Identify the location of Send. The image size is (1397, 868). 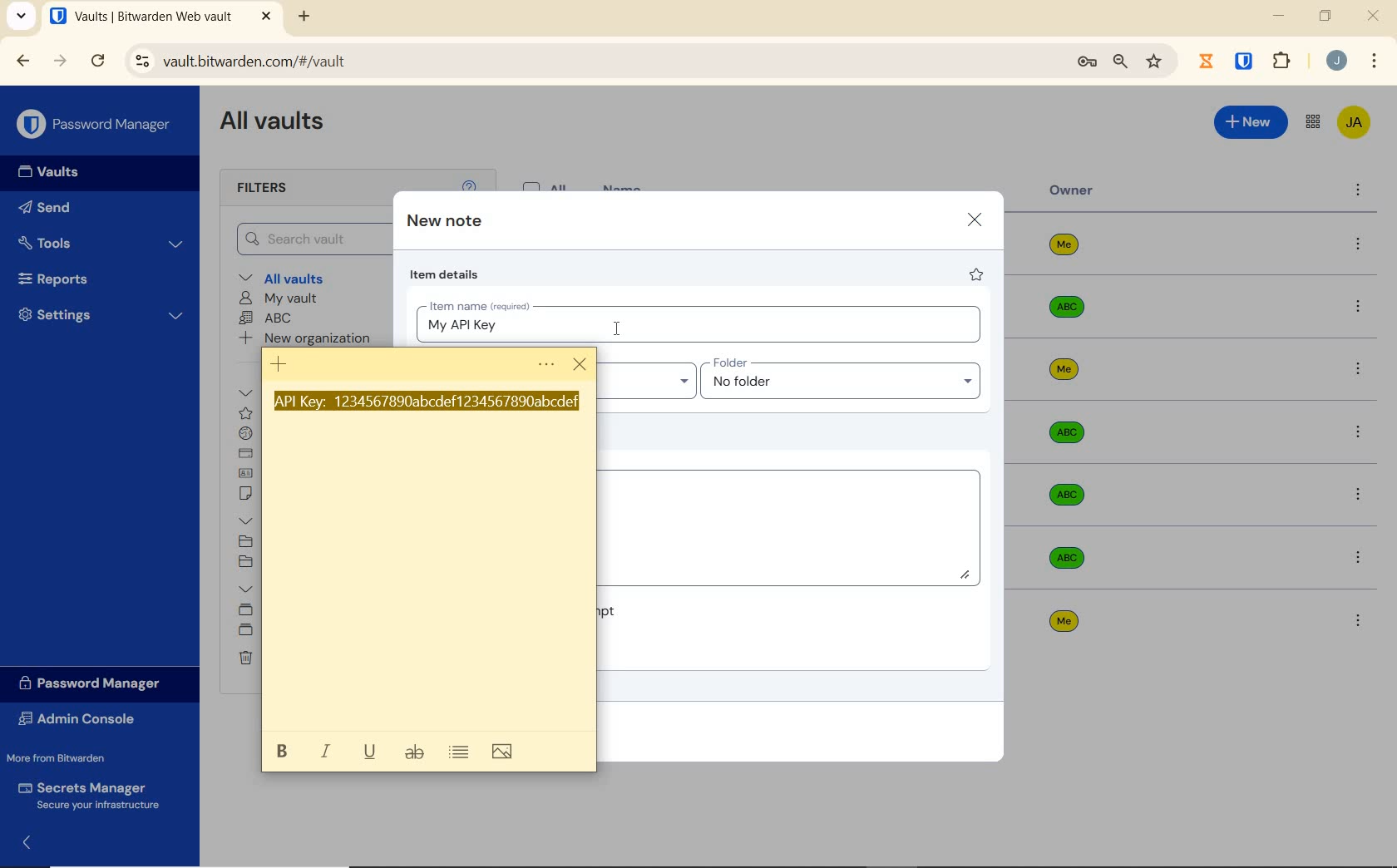
(76, 210).